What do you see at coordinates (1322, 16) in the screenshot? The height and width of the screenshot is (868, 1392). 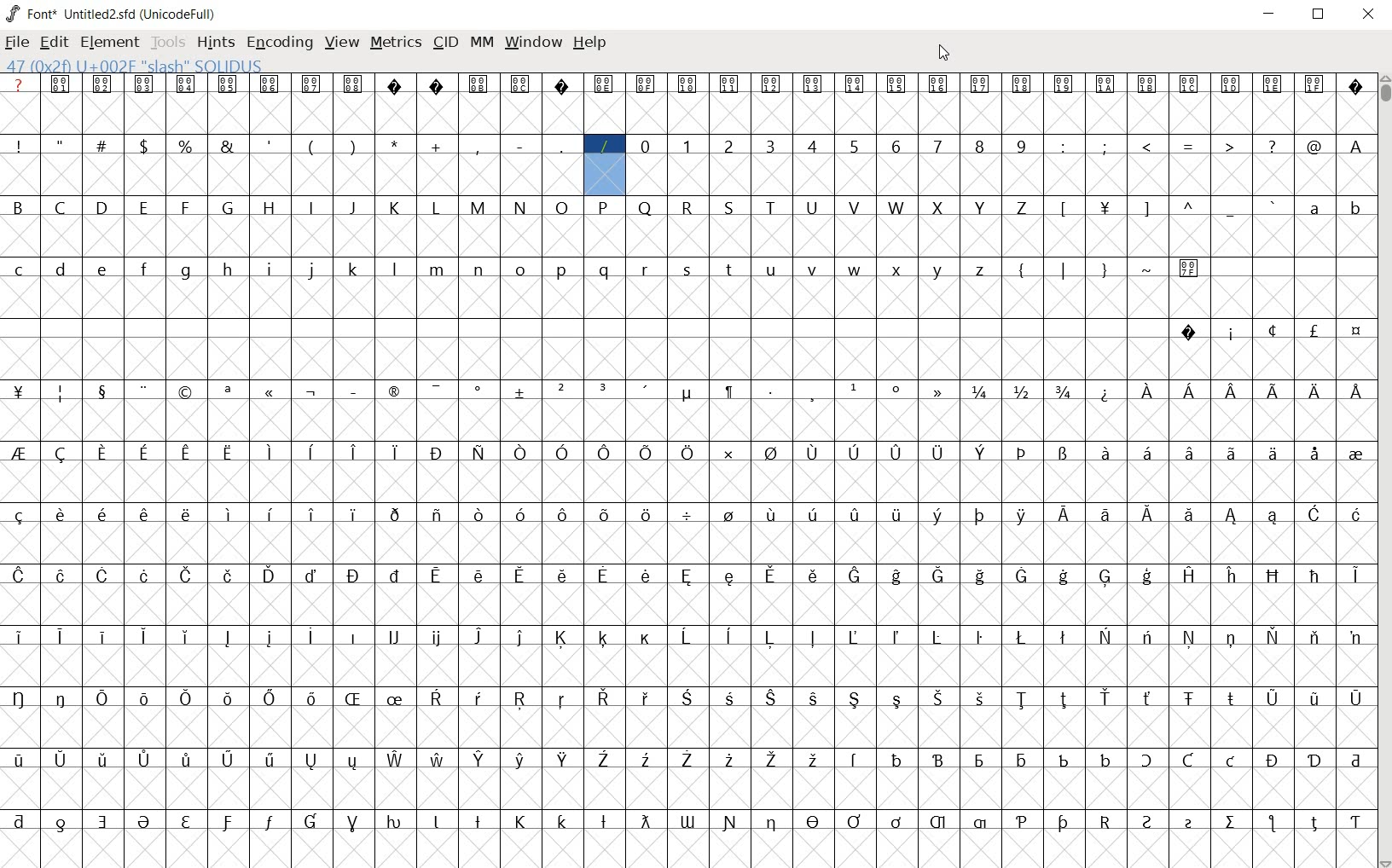 I see `RESTORE` at bounding box center [1322, 16].